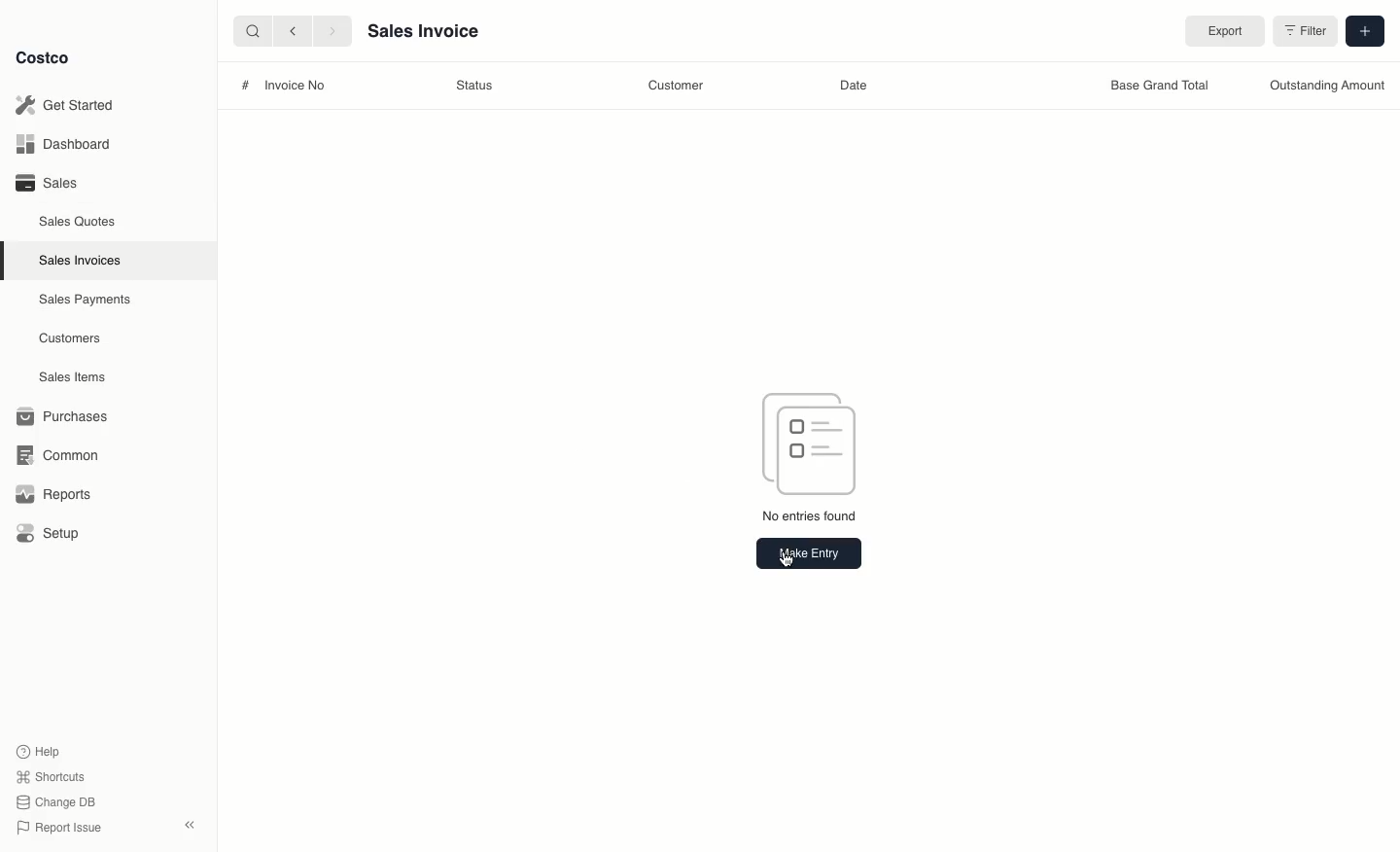 Image resolution: width=1400 pixels, height=852 pixels. Describe the element at coordinates (243, 84) in the screenshot. I see `#` at that location.